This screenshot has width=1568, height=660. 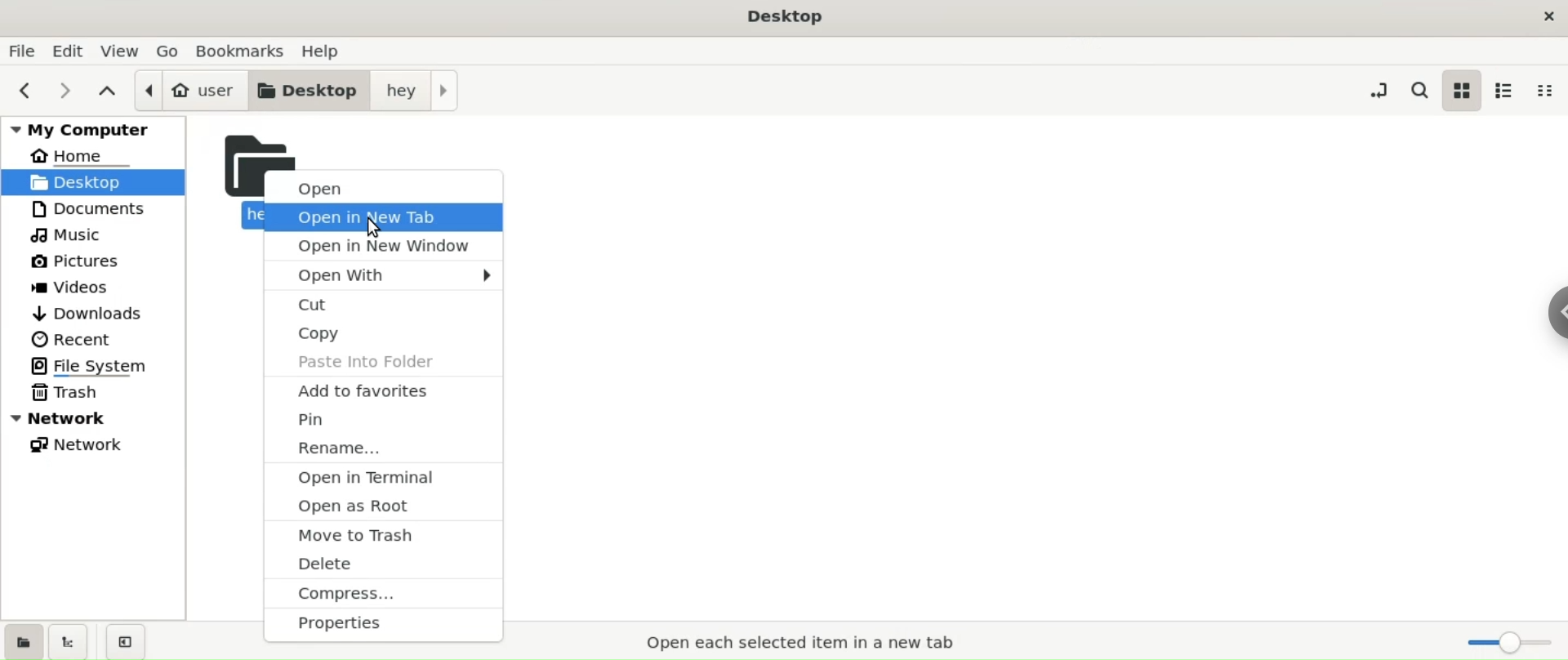 What do you see at coordinates (125, 641) in the screenshot?
I see `close sidebar` at bounding box center [125, 641].